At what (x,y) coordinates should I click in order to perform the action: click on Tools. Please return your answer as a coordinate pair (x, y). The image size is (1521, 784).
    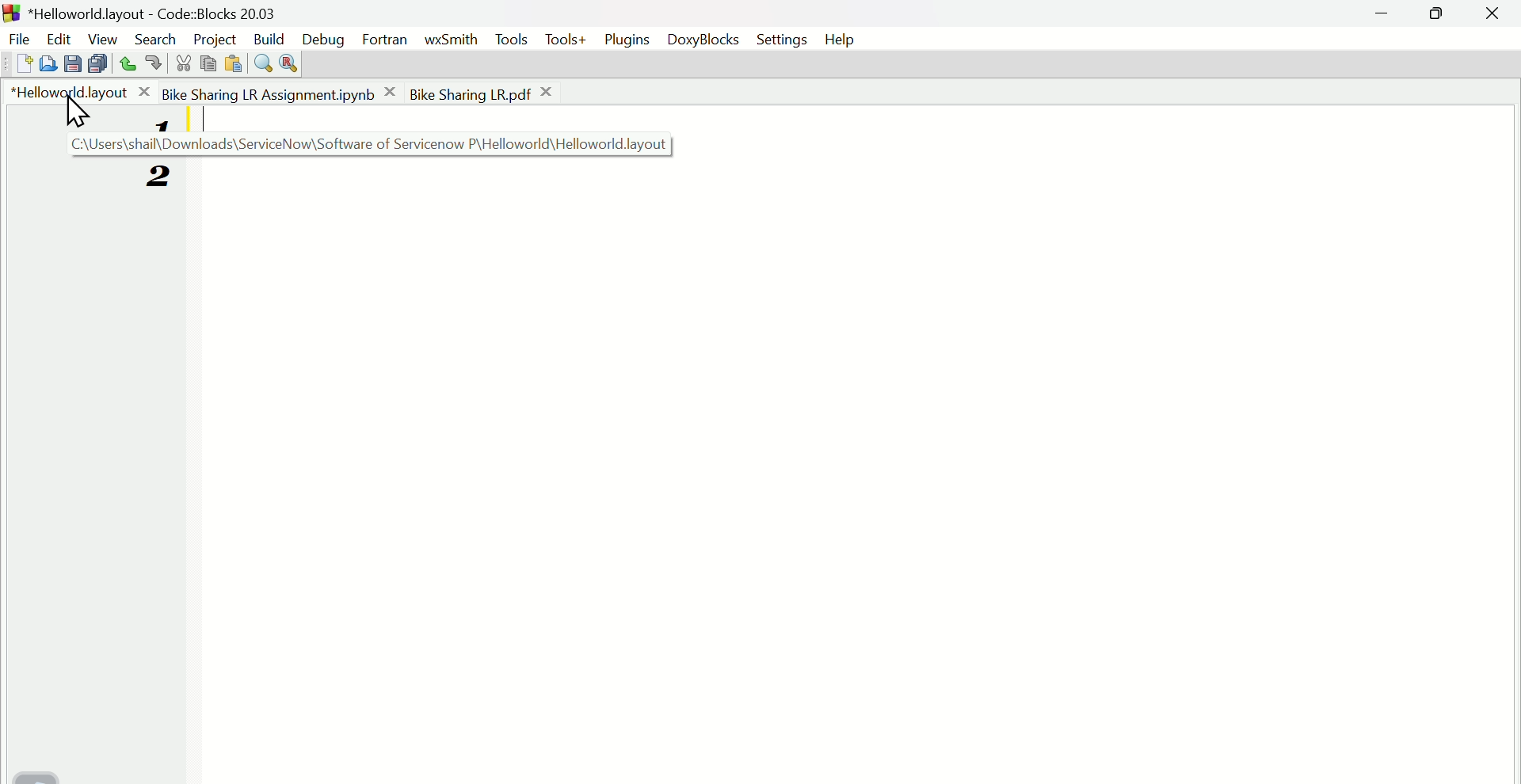
    Looking at the image, I should click on (512, 40).